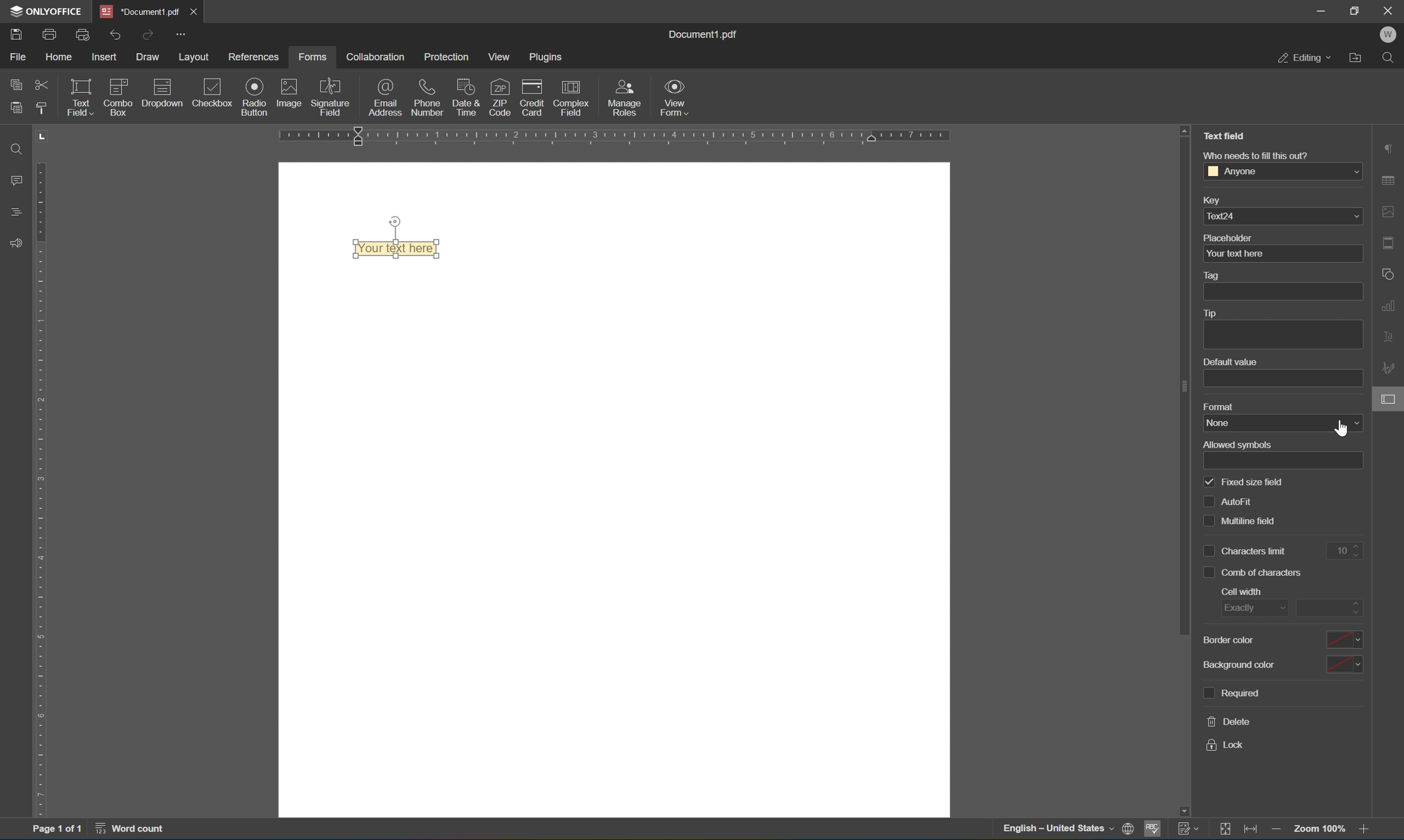 The image size is (1404, 840). Describe the element at coordinates (1248, 551) in the screenshot. I see `characters limits` at that location.